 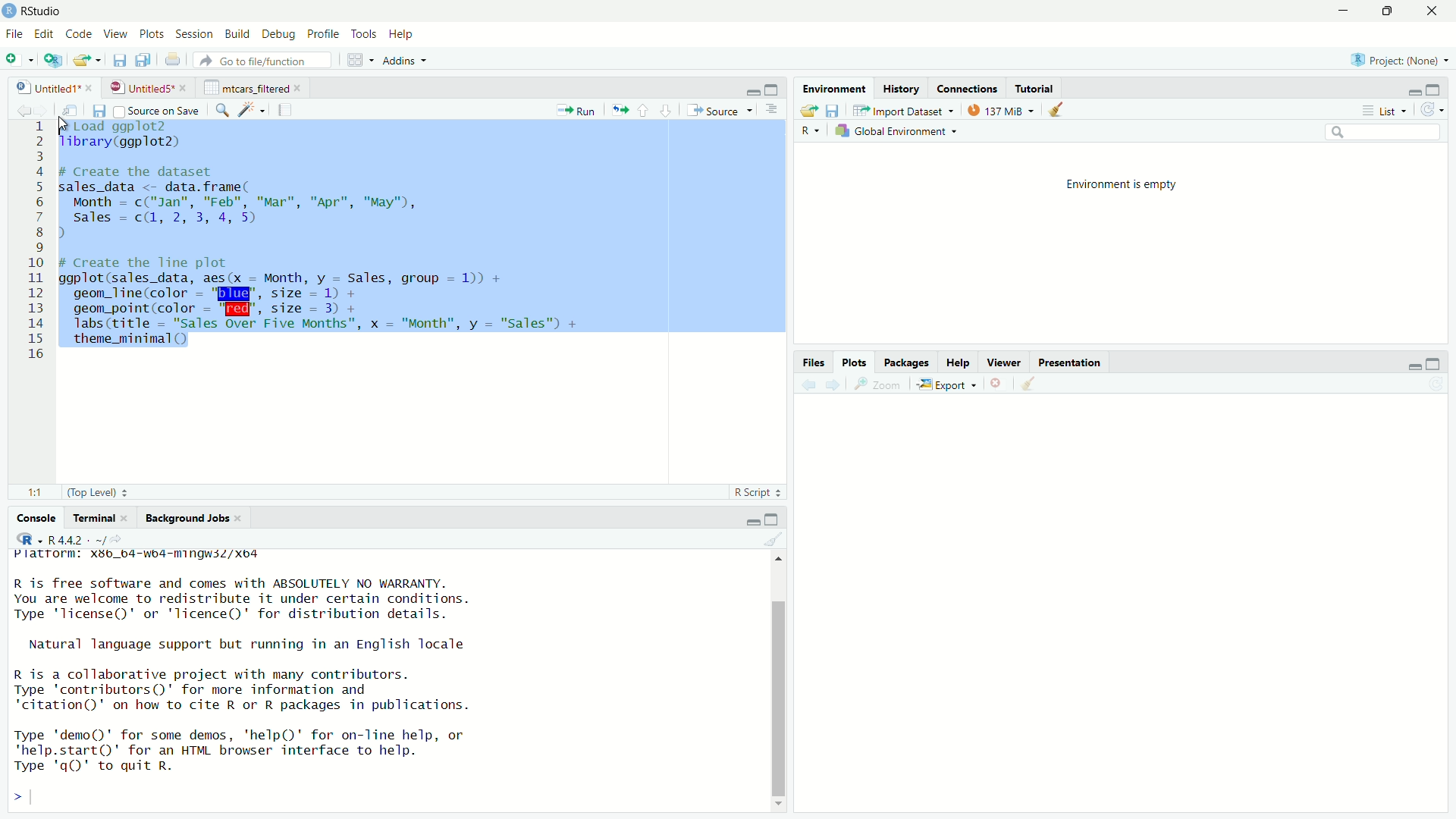 What do you see at coordinates (834, 385) in the screenshot?
I see `forward` at bounding box center [834, 385].